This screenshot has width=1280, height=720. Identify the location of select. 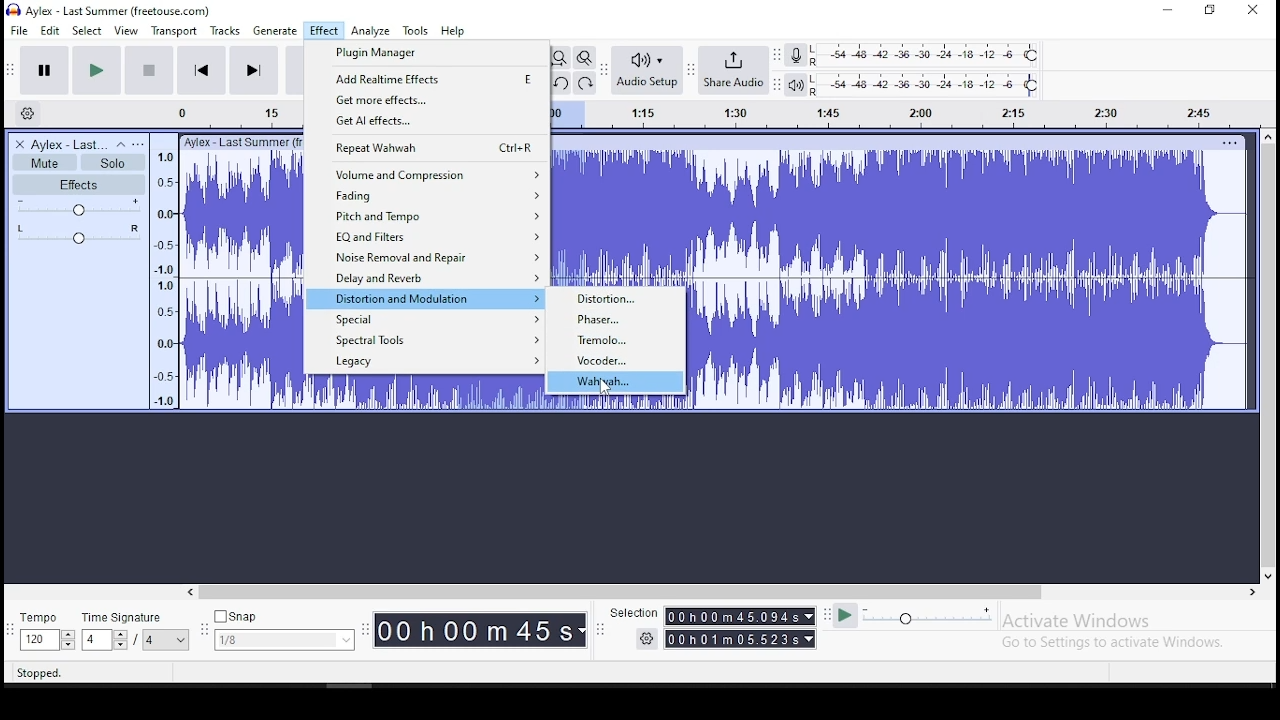
(88, 31).